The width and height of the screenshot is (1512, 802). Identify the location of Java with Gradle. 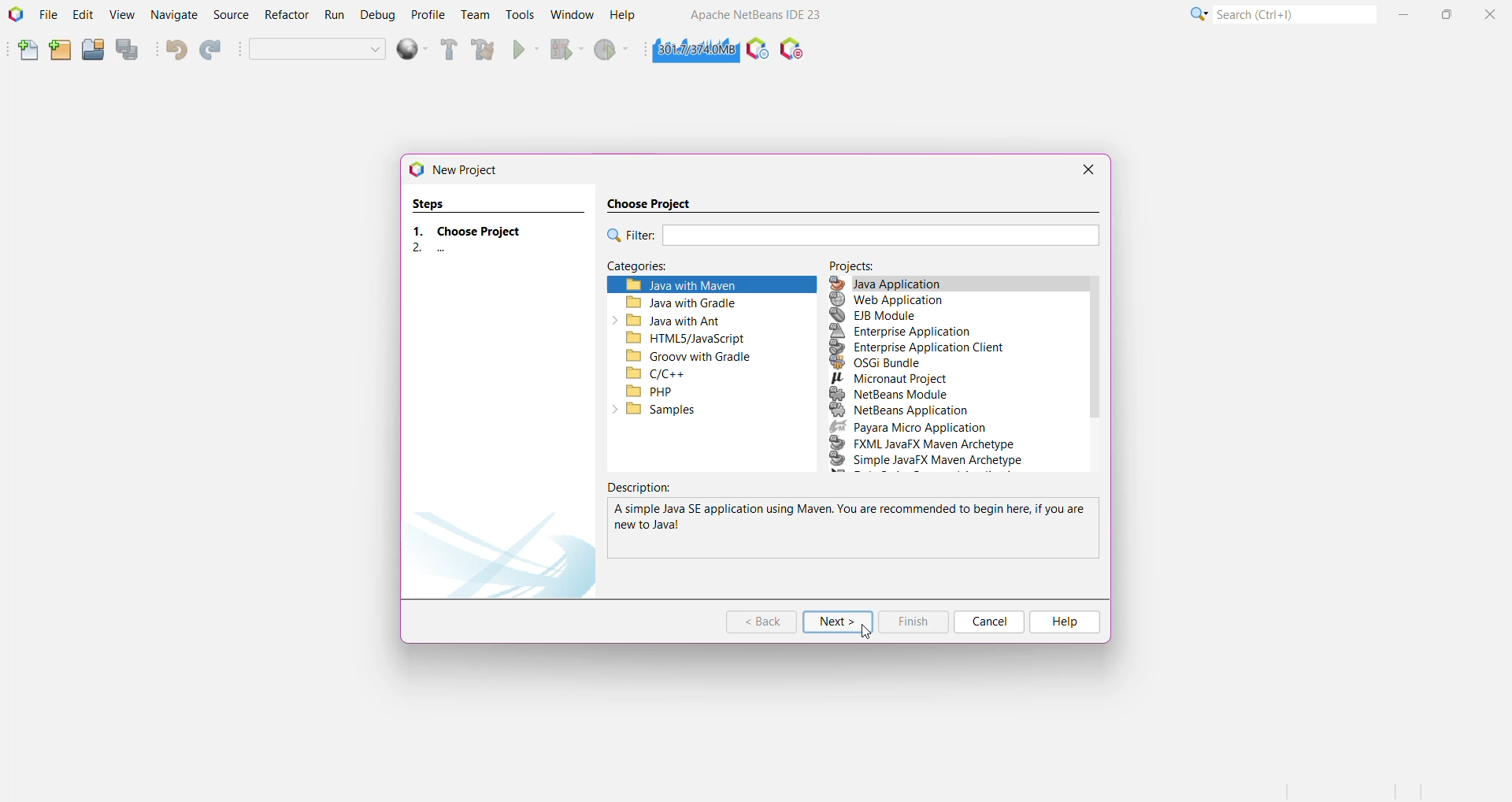
(713, 302).